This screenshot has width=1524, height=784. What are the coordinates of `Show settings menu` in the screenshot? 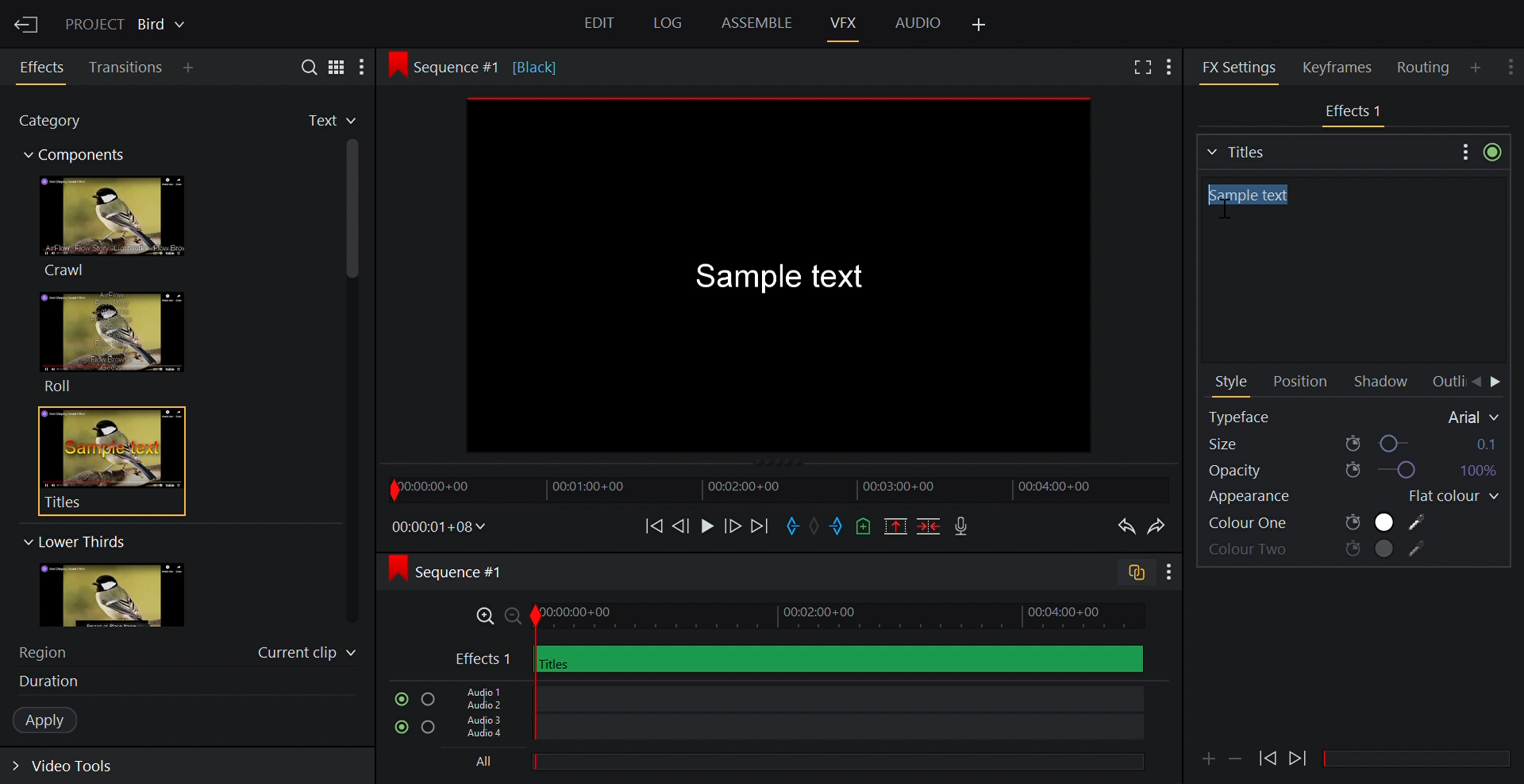 It's located at (1168, 573).